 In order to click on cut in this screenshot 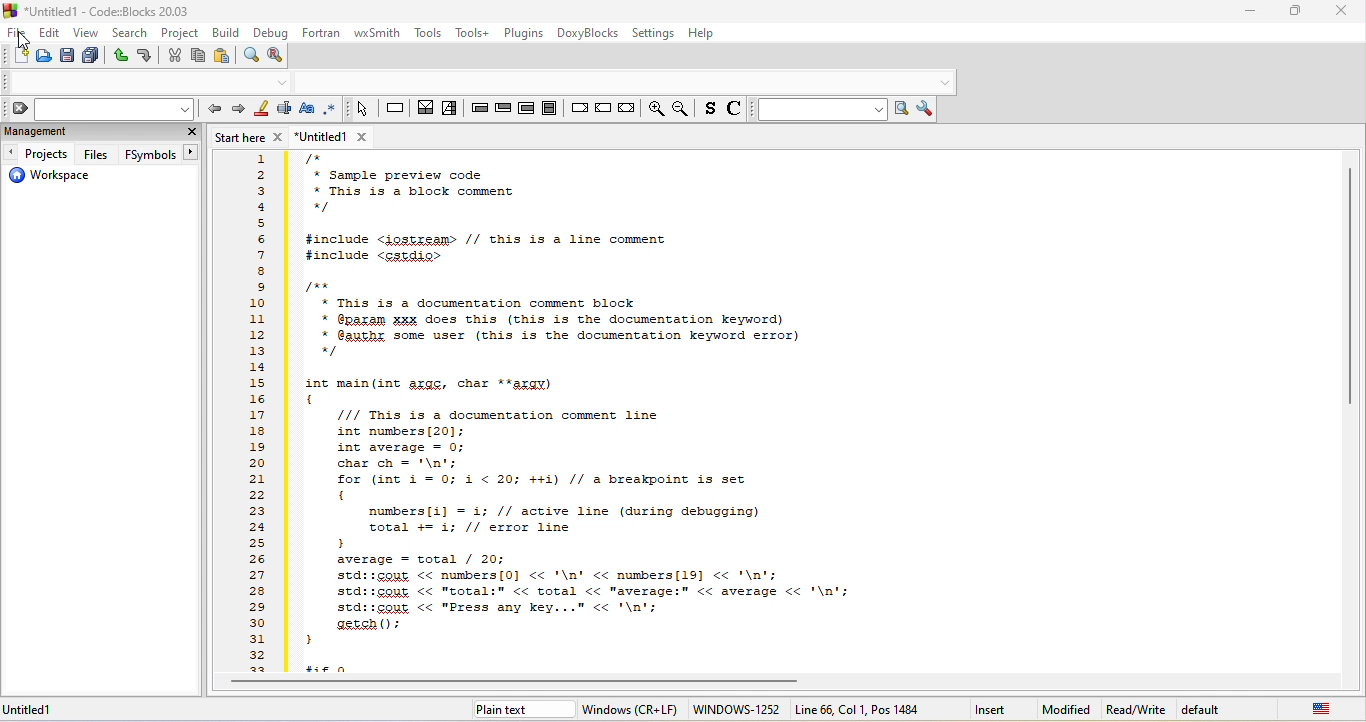, I will do `click(174, 56)`.